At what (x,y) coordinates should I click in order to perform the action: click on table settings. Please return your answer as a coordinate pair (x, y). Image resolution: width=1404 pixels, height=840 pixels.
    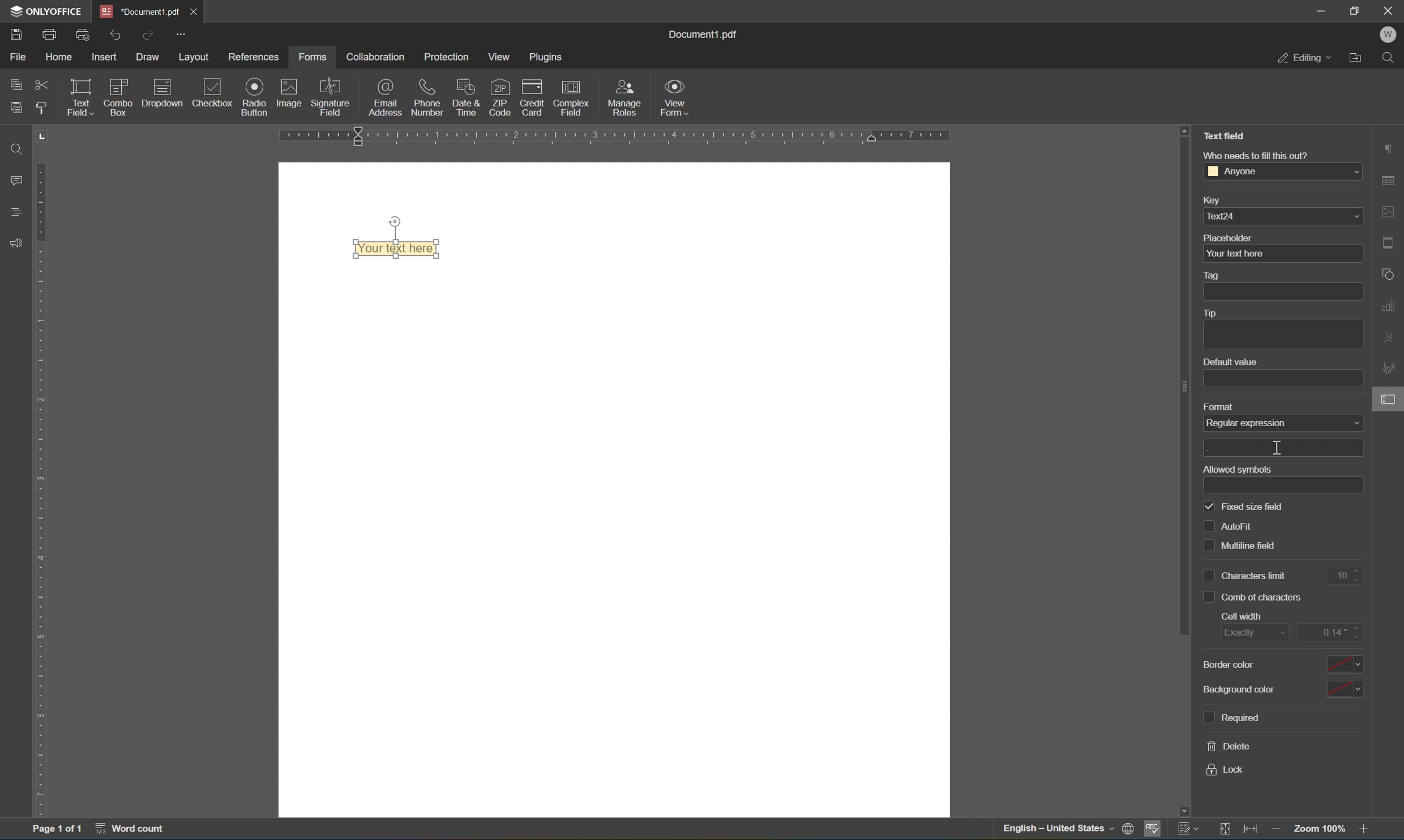
    Looking at the image, I should click on (1390, 182).